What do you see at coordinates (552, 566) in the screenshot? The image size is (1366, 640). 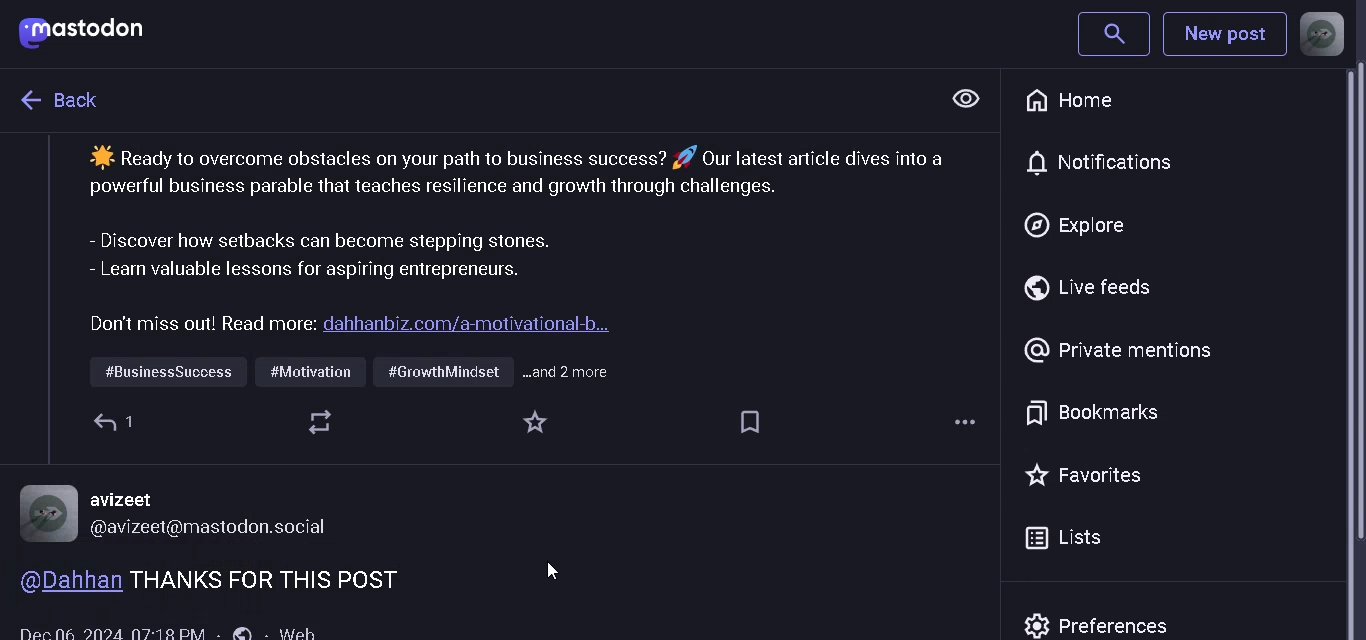 I see `cursor` at bounding box center [552, 566].